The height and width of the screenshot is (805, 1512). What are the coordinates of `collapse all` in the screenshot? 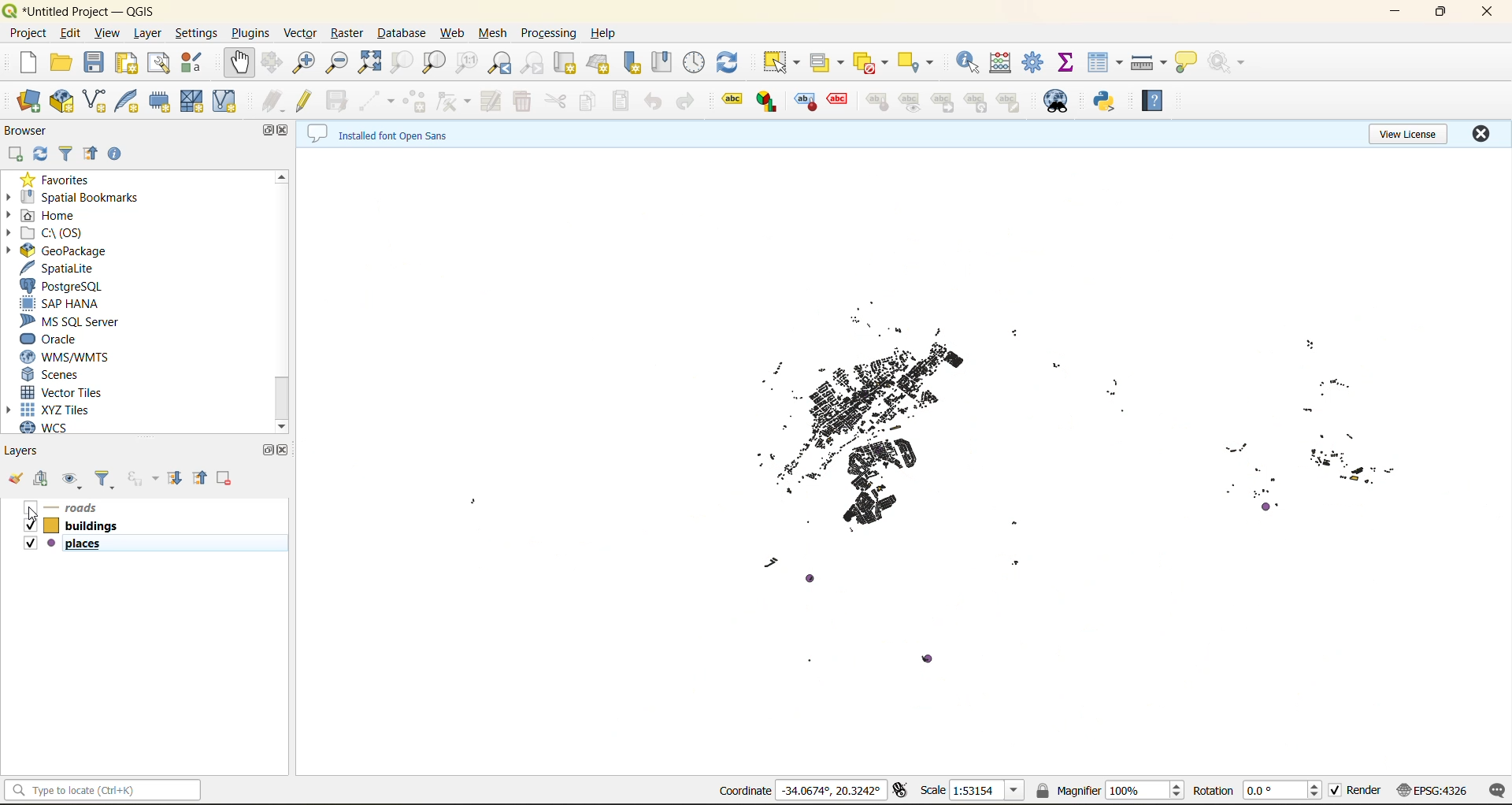 It's located at (202, 480).